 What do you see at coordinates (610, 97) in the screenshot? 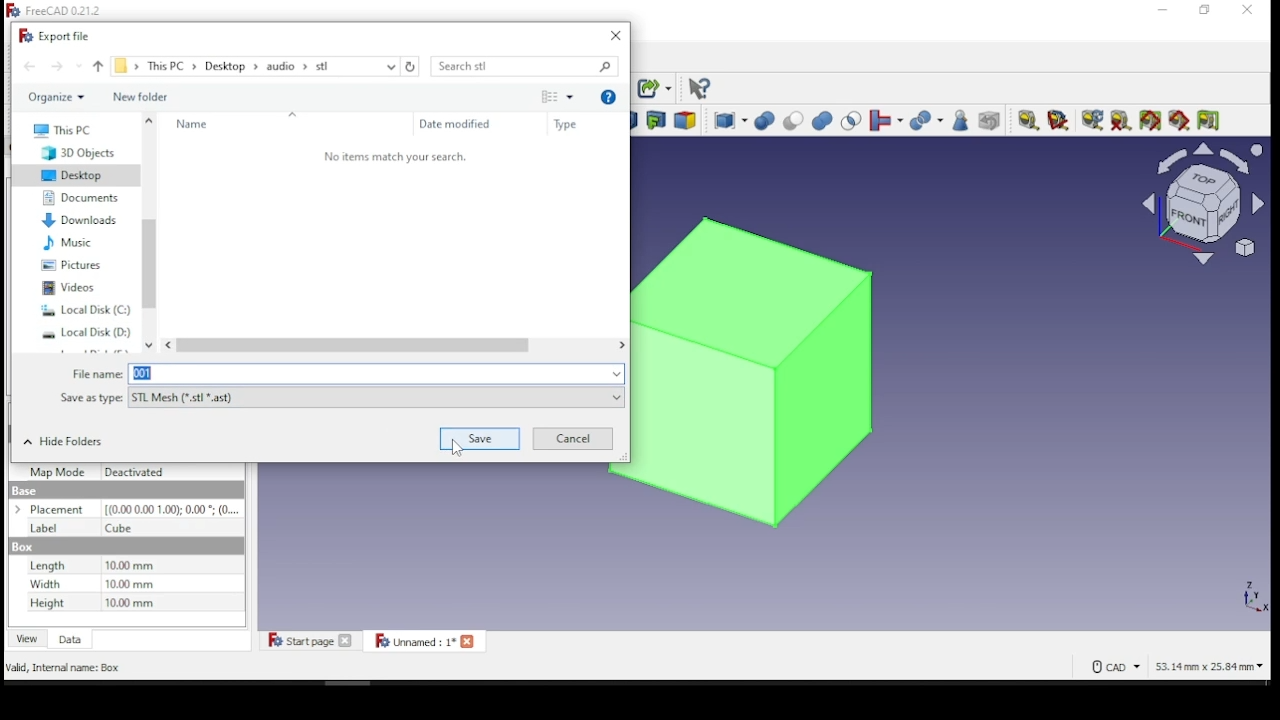
I see `get help` at bounding box center [610, 97].